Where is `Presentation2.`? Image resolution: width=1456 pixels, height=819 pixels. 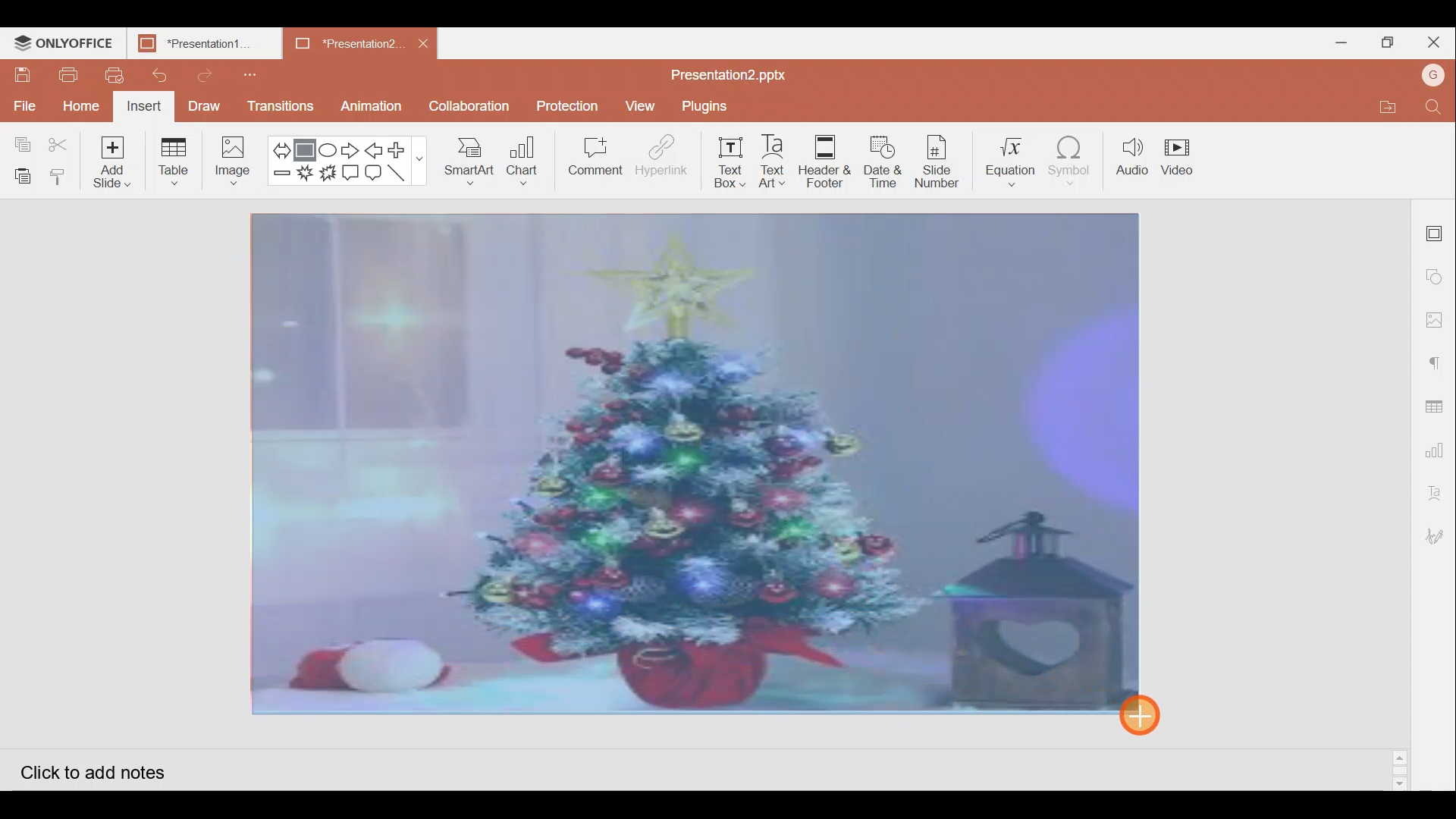
Presentation2. is located at coordinates (342, 43).